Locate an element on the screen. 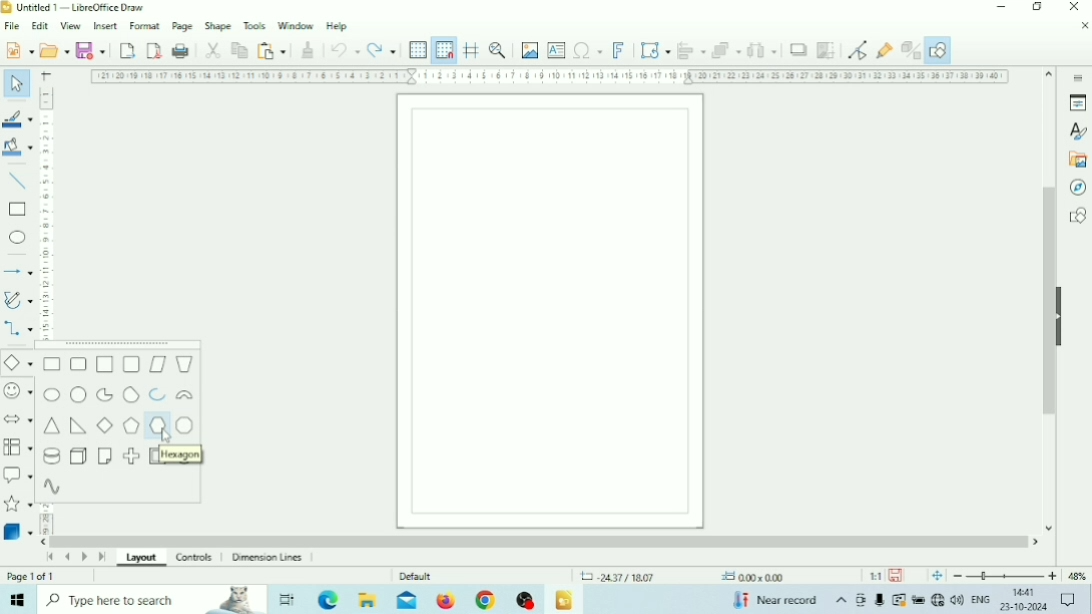 This screenshot has height=614, width=1092. Notifications is located at coordinates (1067, 600).